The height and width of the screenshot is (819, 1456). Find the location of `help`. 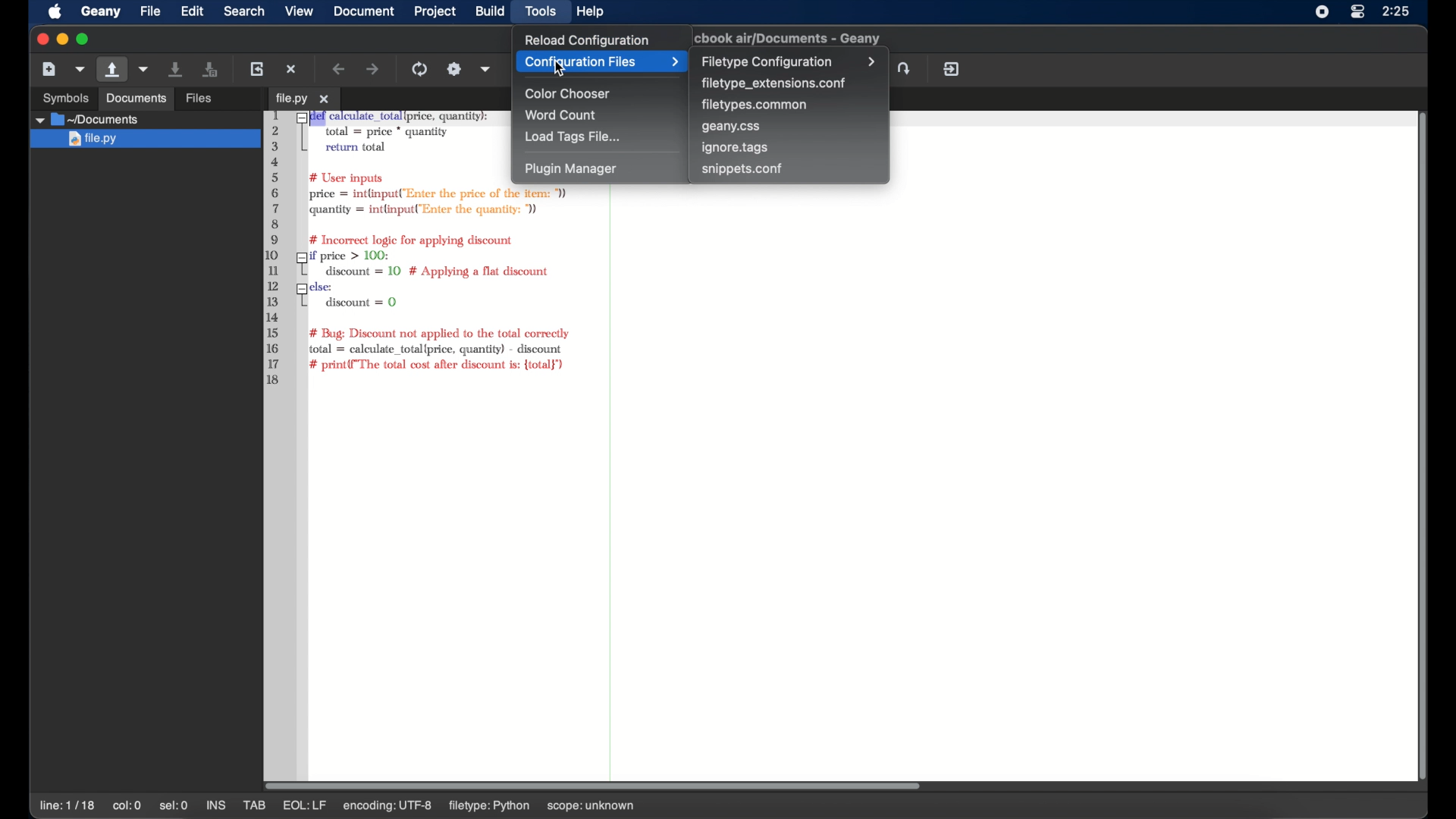

help is located at coordinates (591, 11).